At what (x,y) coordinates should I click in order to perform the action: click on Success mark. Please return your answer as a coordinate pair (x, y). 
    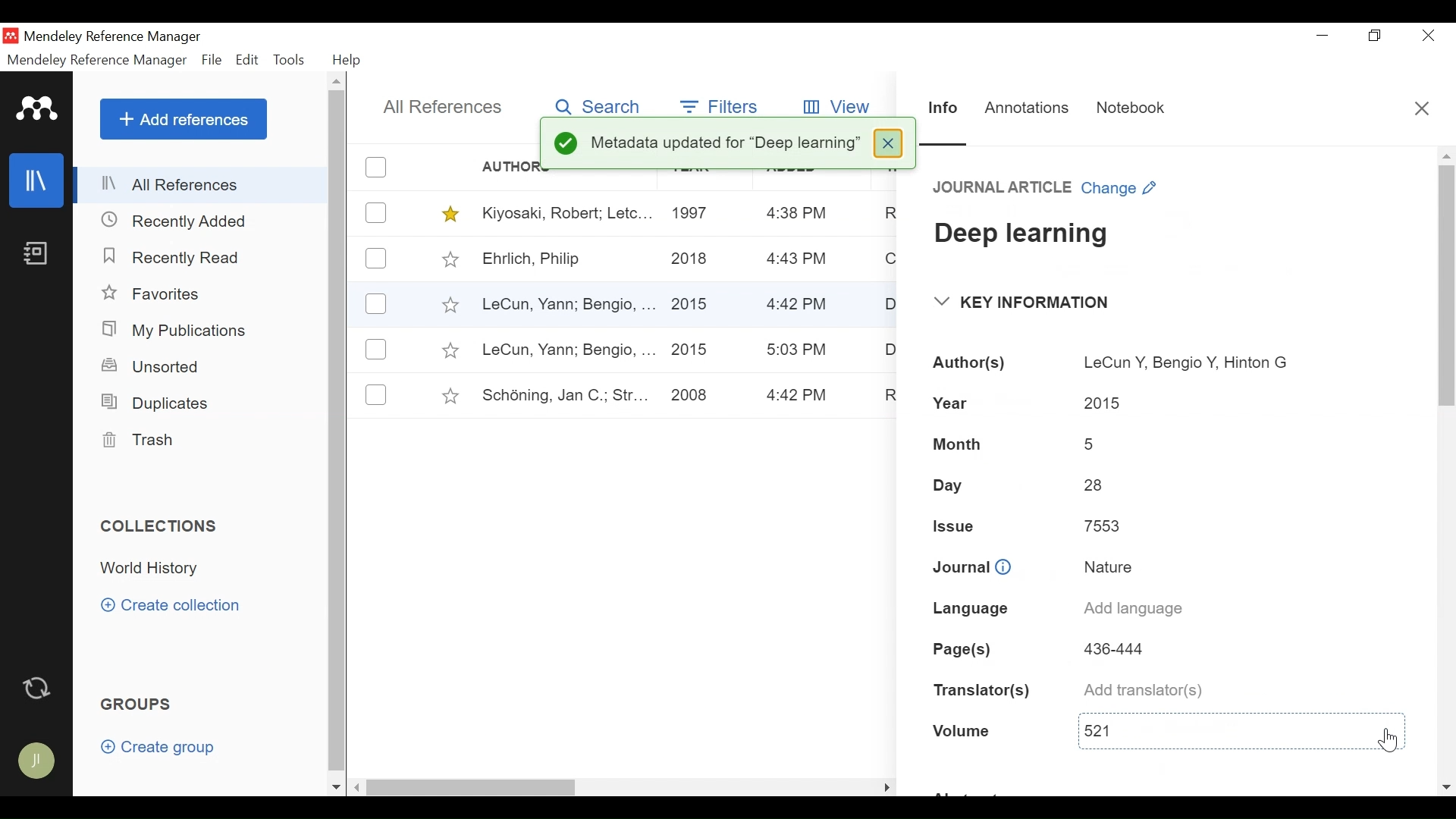
    Looking at the image, I should click on (565, 146).